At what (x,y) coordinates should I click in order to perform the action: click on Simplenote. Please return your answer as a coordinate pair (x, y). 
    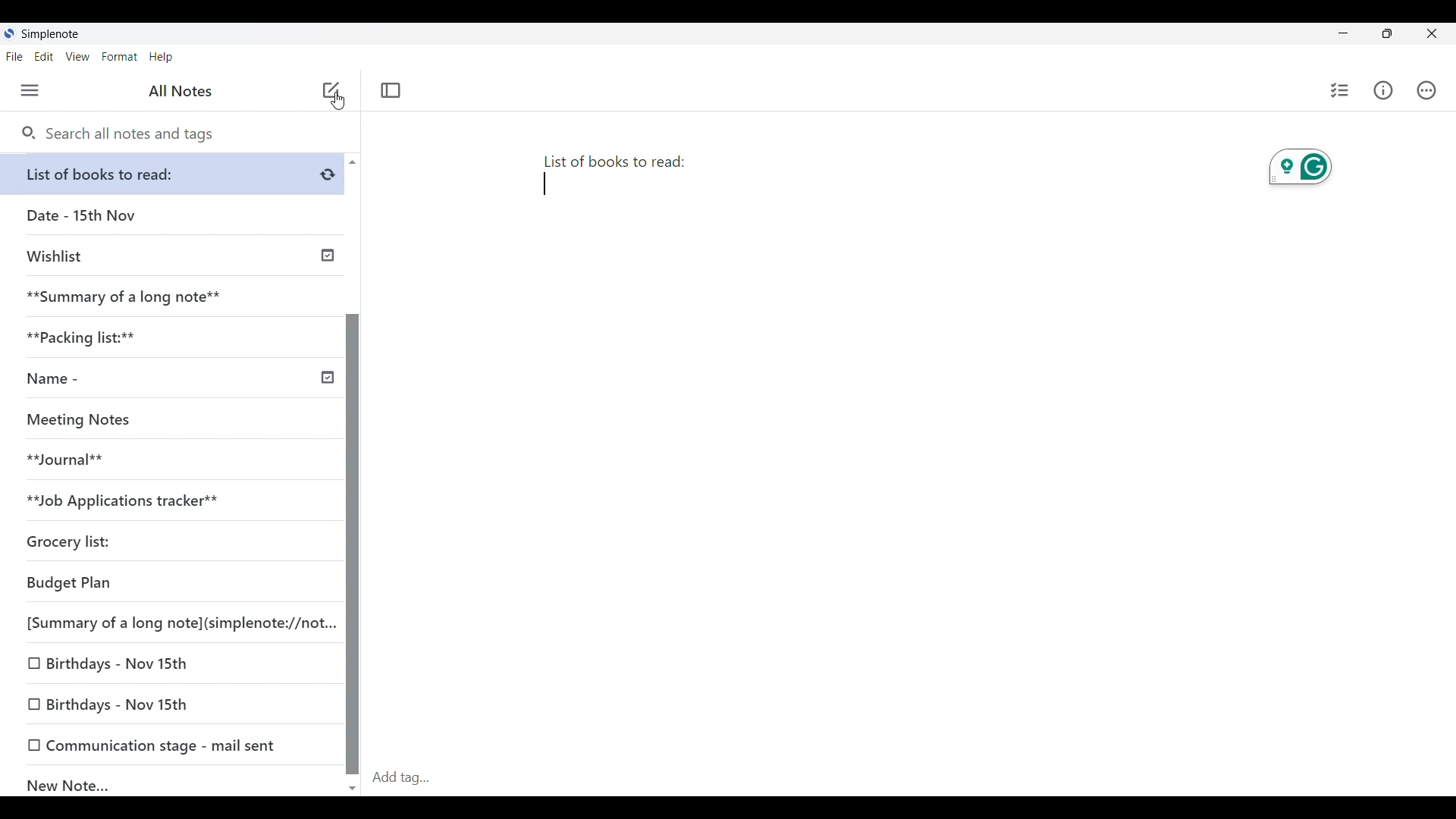
    Looking at the image, I should click on (49, 34).